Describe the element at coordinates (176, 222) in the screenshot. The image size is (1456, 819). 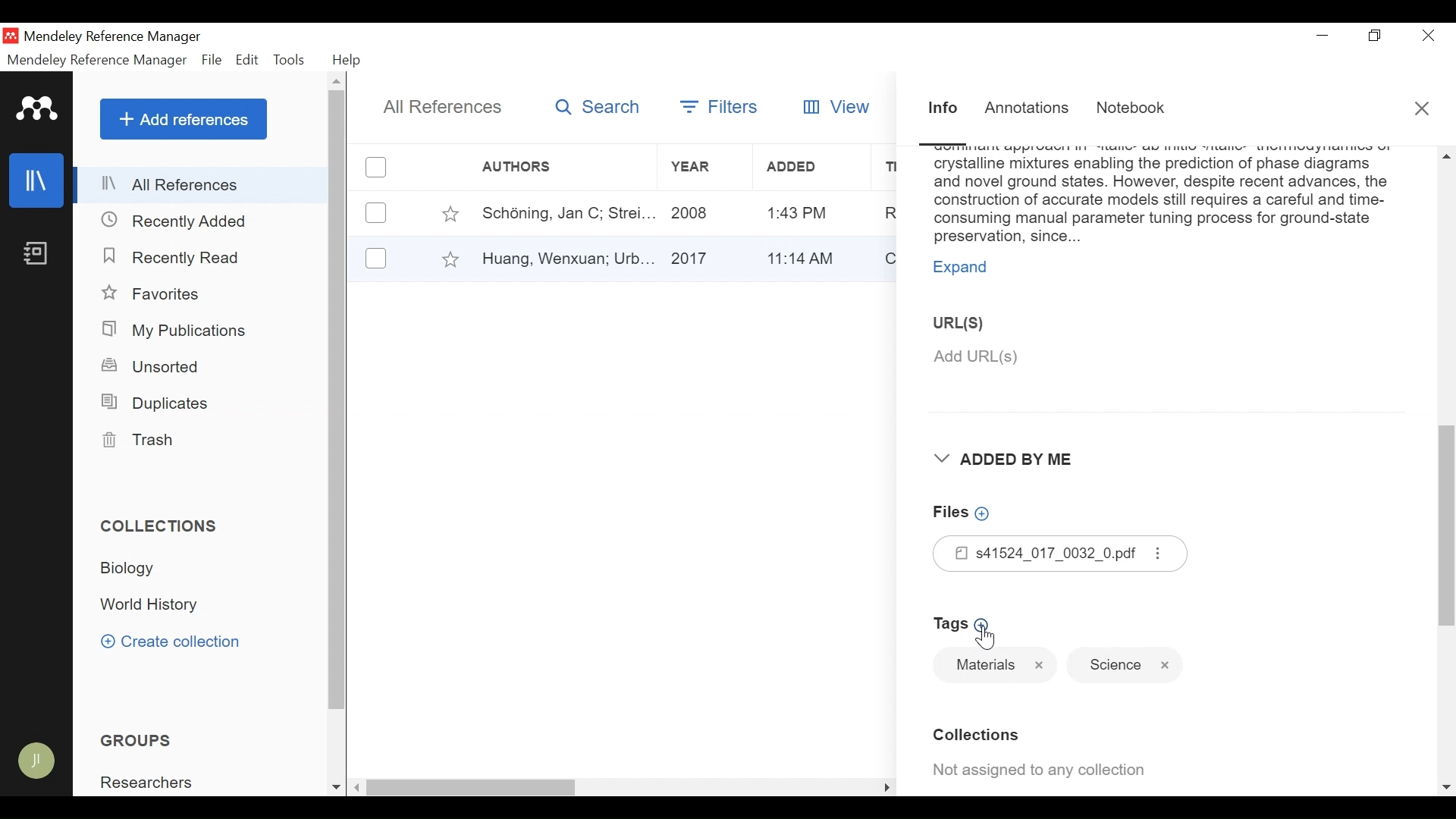
I see `Recently Added` at that location.